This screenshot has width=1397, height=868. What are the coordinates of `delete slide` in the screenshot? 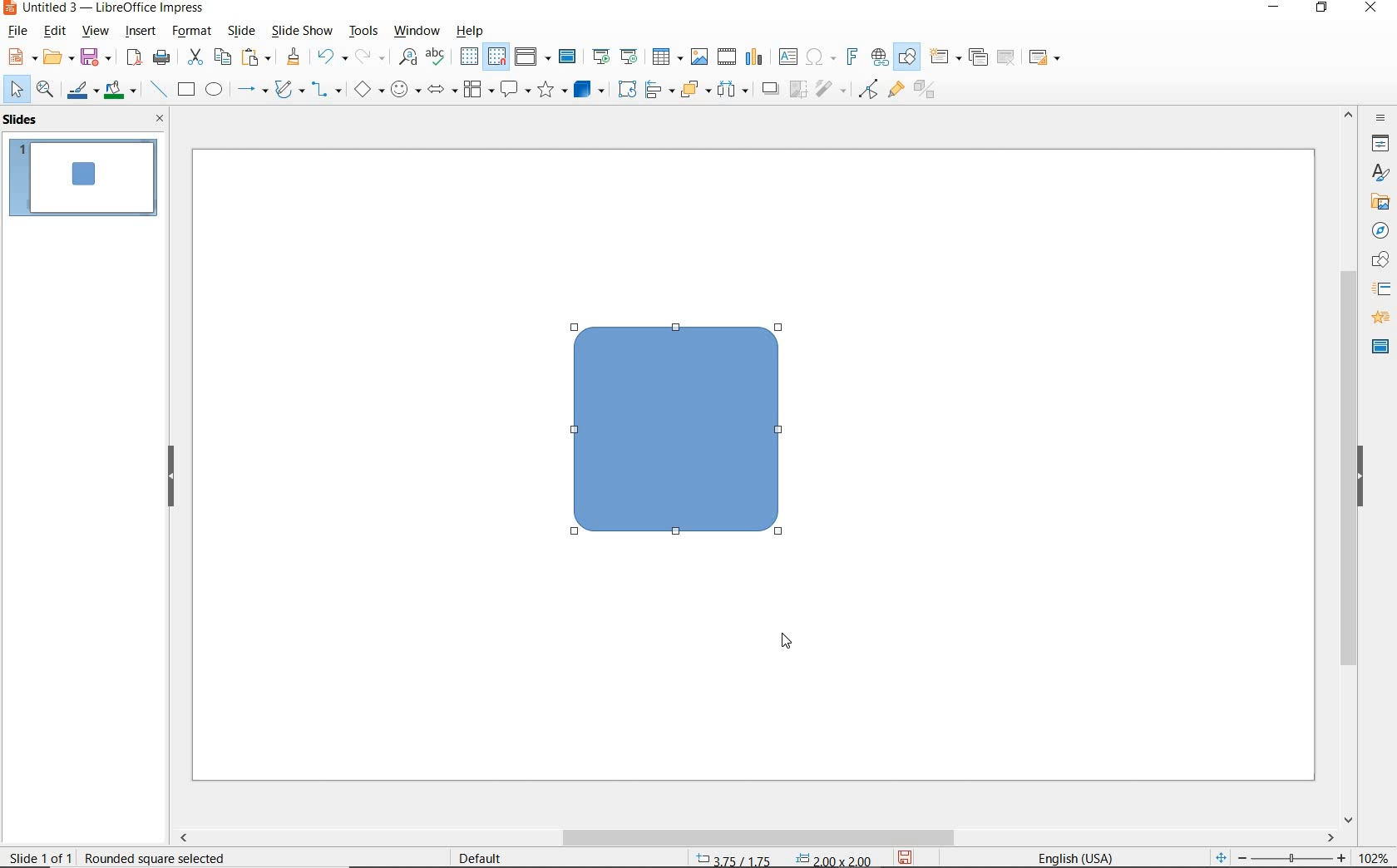 It's located at (1009, 57).